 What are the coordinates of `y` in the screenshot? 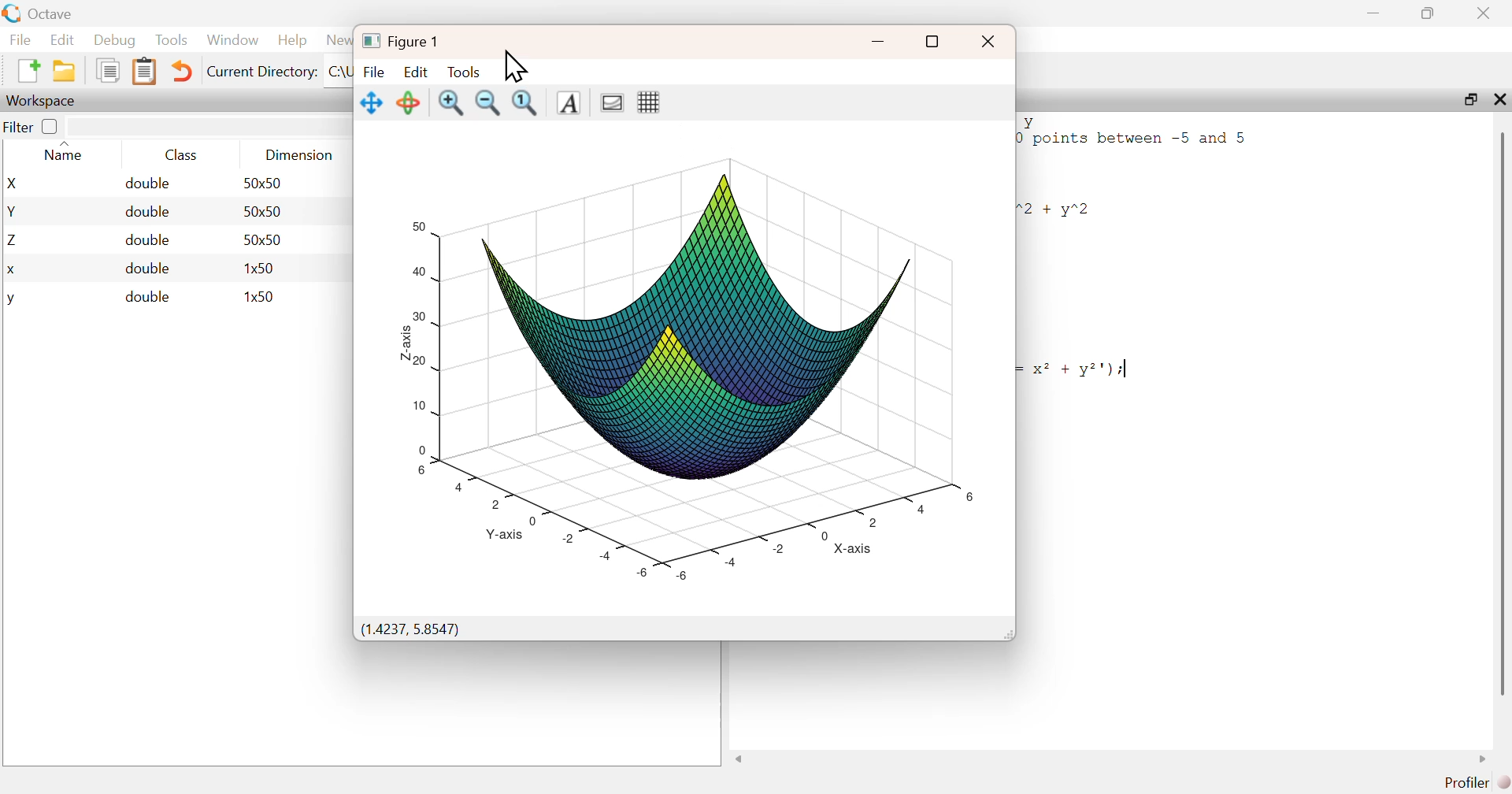 It's located at (11, 300).